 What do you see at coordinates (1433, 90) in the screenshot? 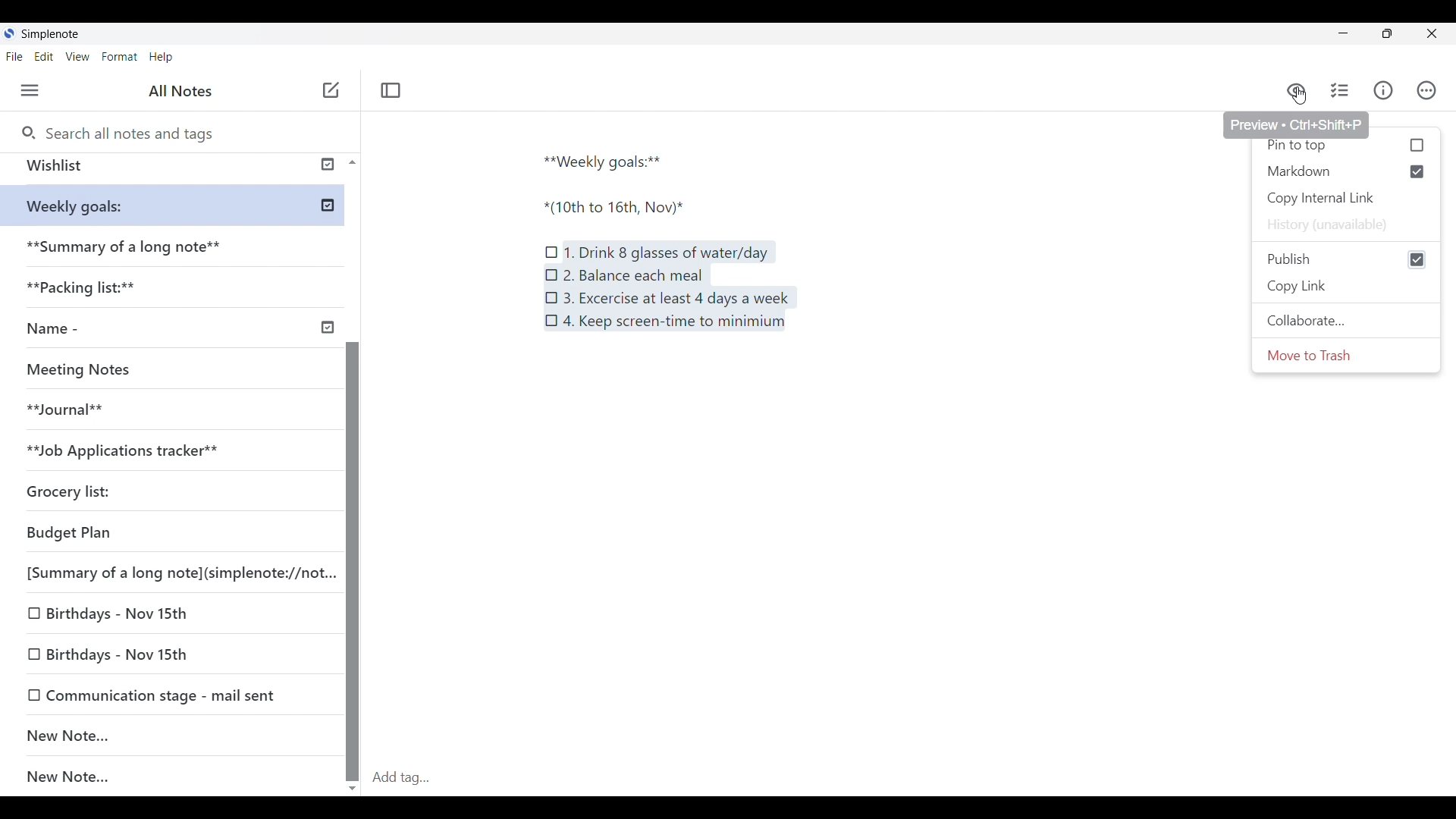
I see `Actions` at bounding box center [1433, 90].